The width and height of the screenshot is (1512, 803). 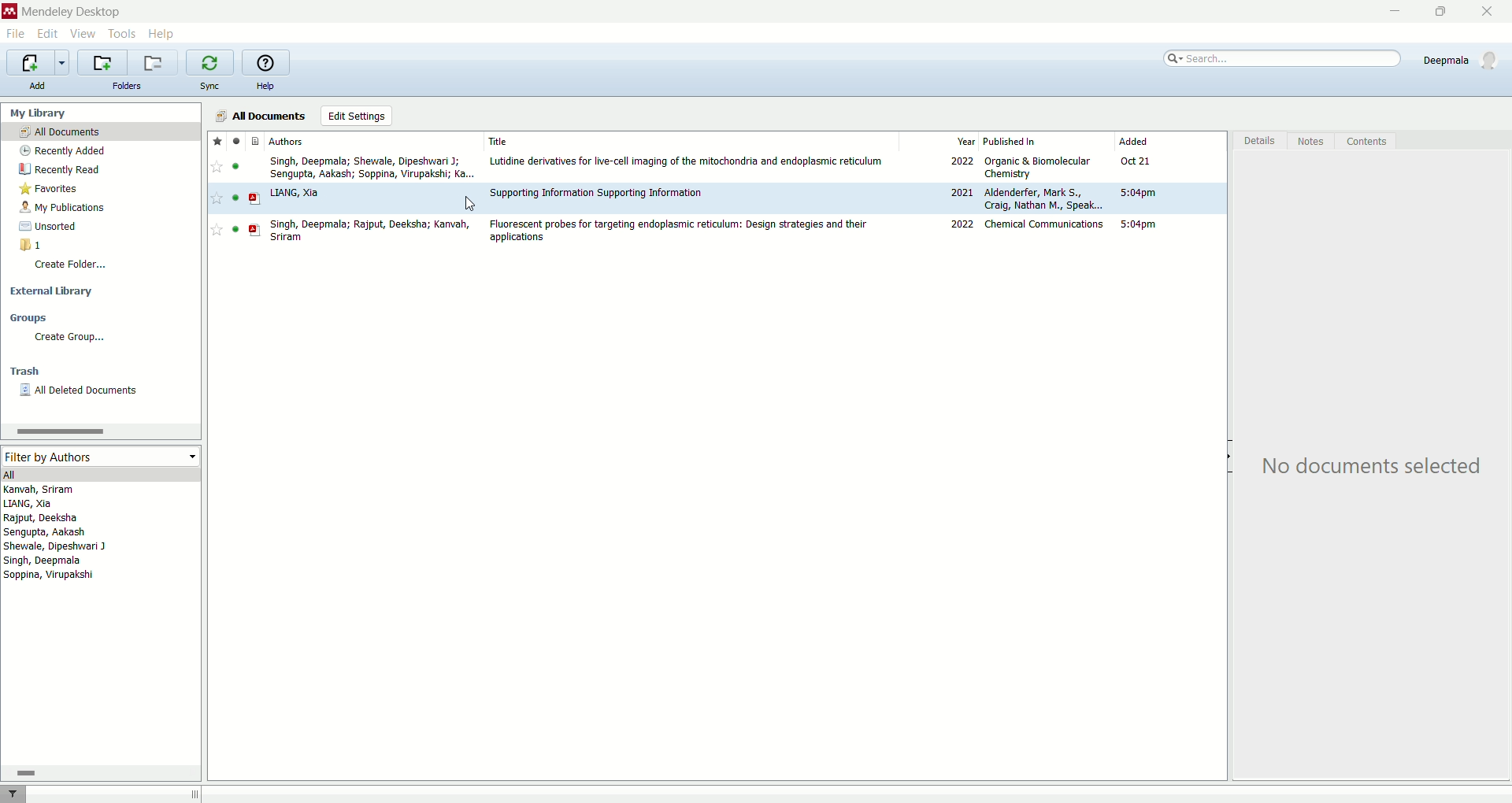 What do you see at coordinates (102, 131) in the screenshot?
I see `all documents` at bounding box center [102, 131].